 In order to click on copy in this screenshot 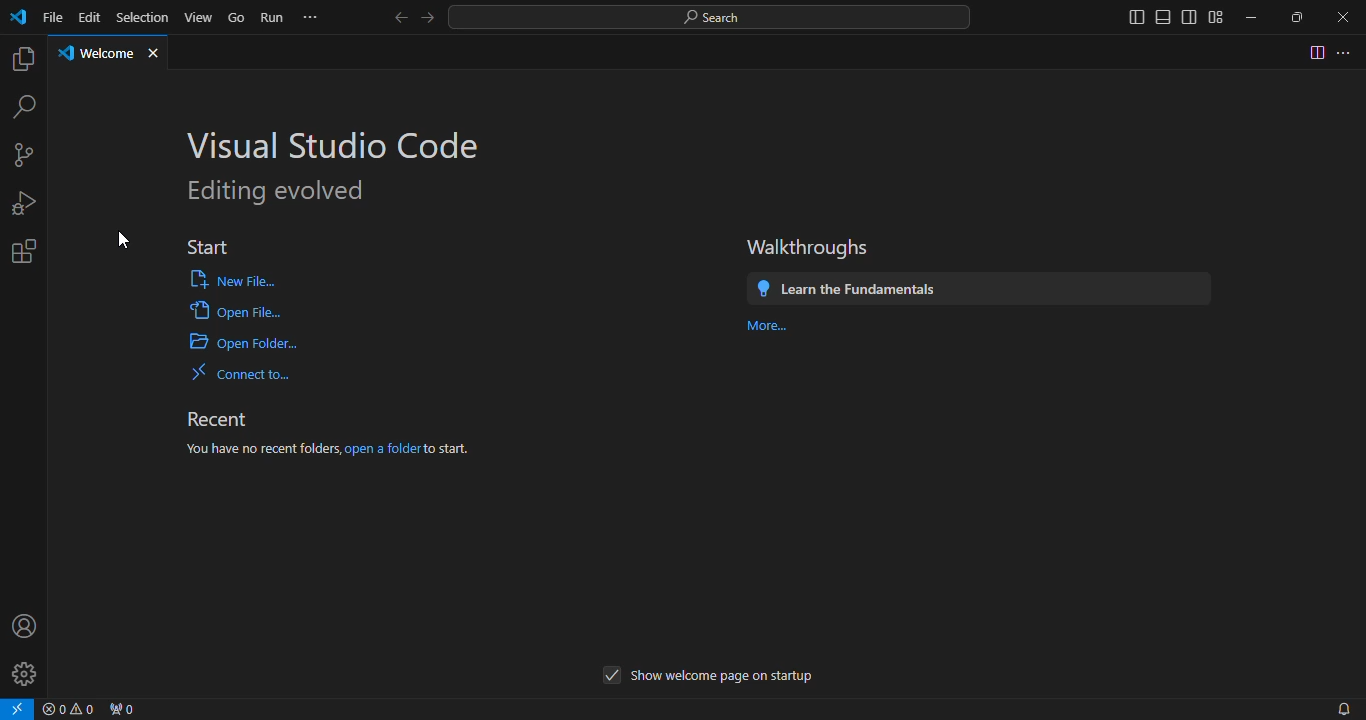, I will do `click(23, 61)`.